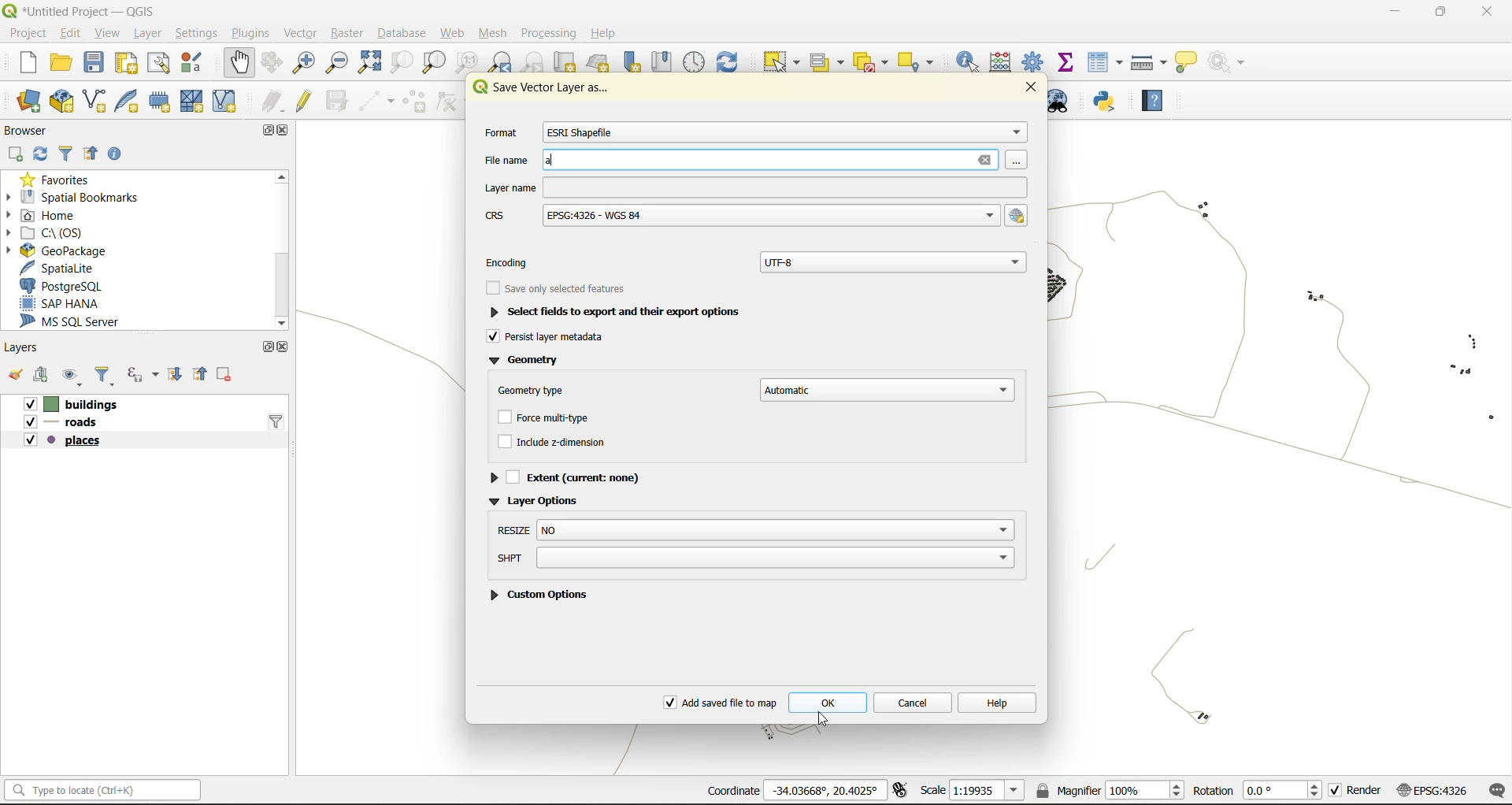  Describe the element at coordinates (265, 347) in the screenshot. I see `maximize` at that location.